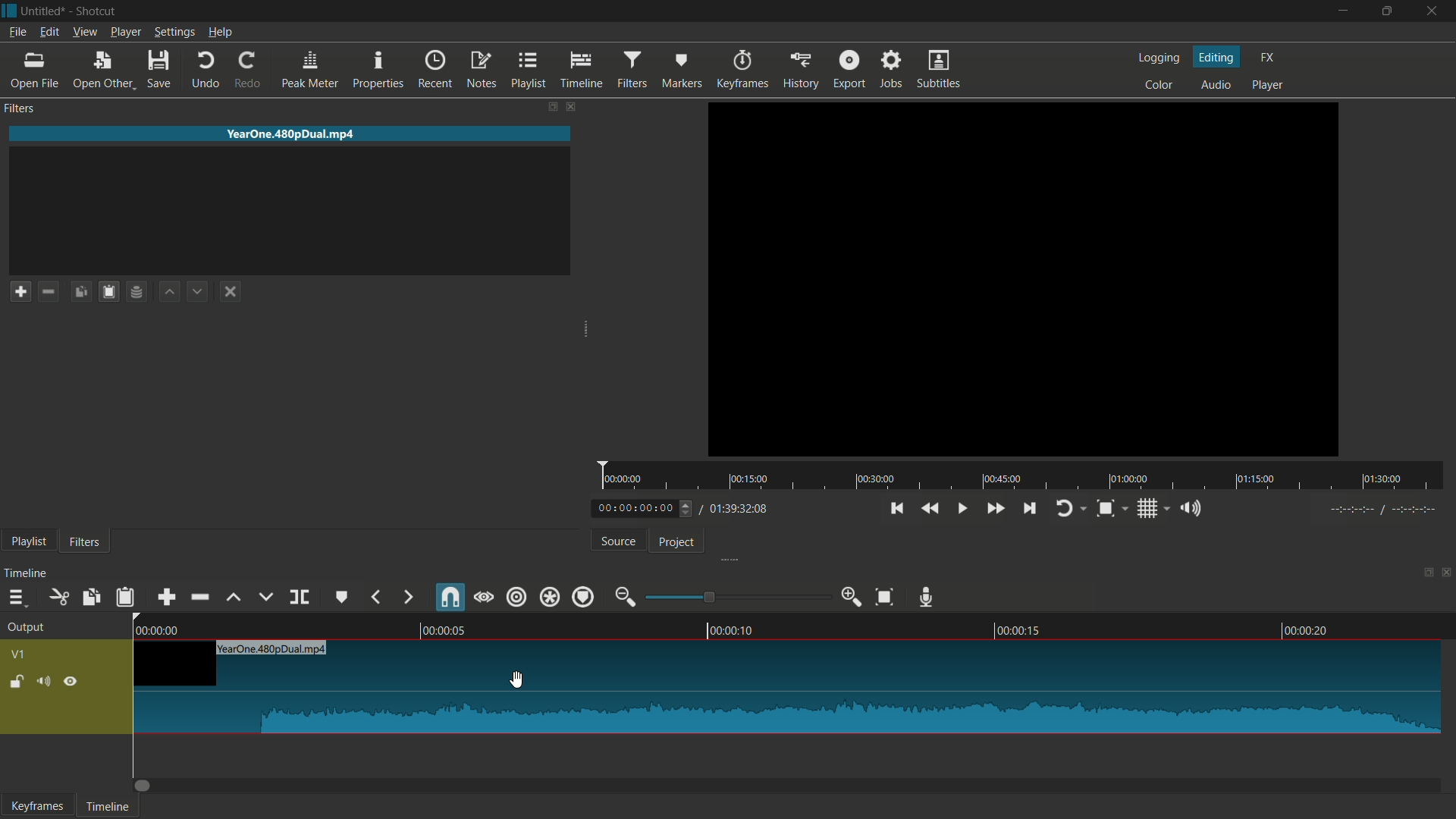  What do you see at coordinates (994, 509) in the screenshot?
I see `quicky play forward` at bounding box center [994, 509].